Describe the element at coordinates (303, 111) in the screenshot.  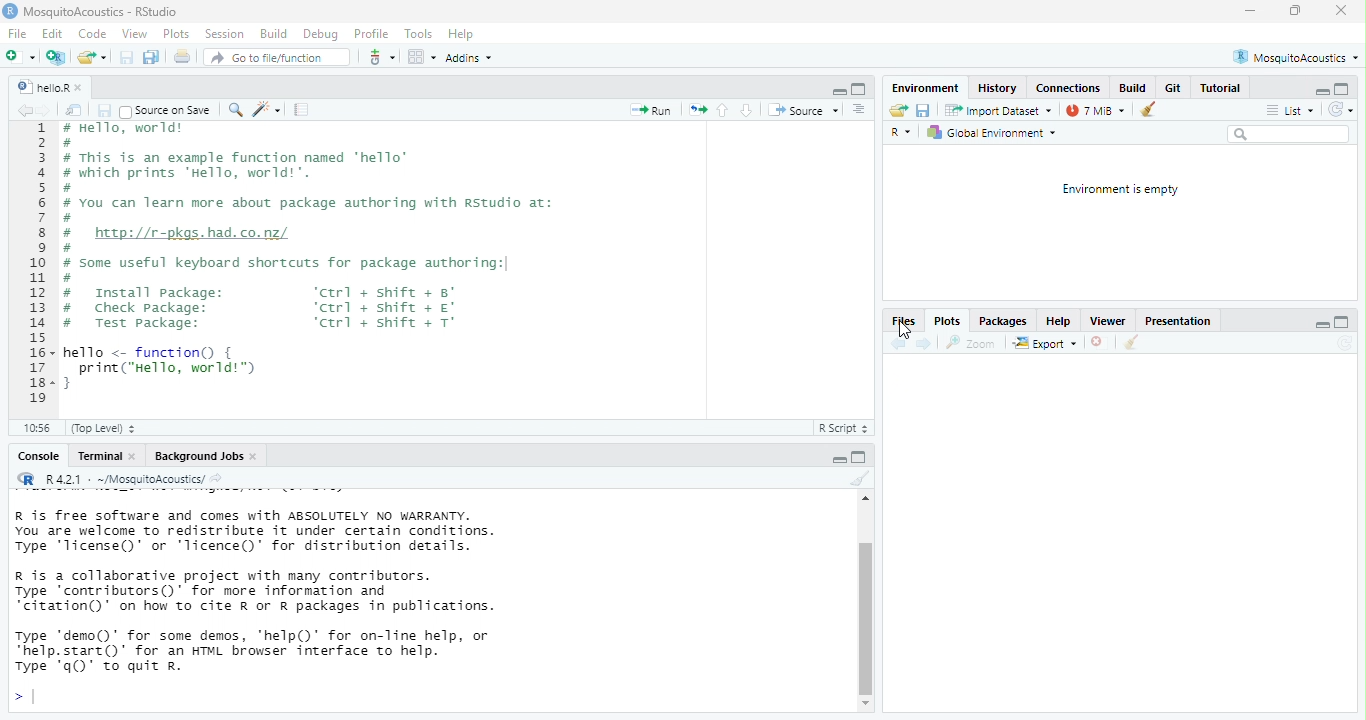
I see `compile report` at that location.